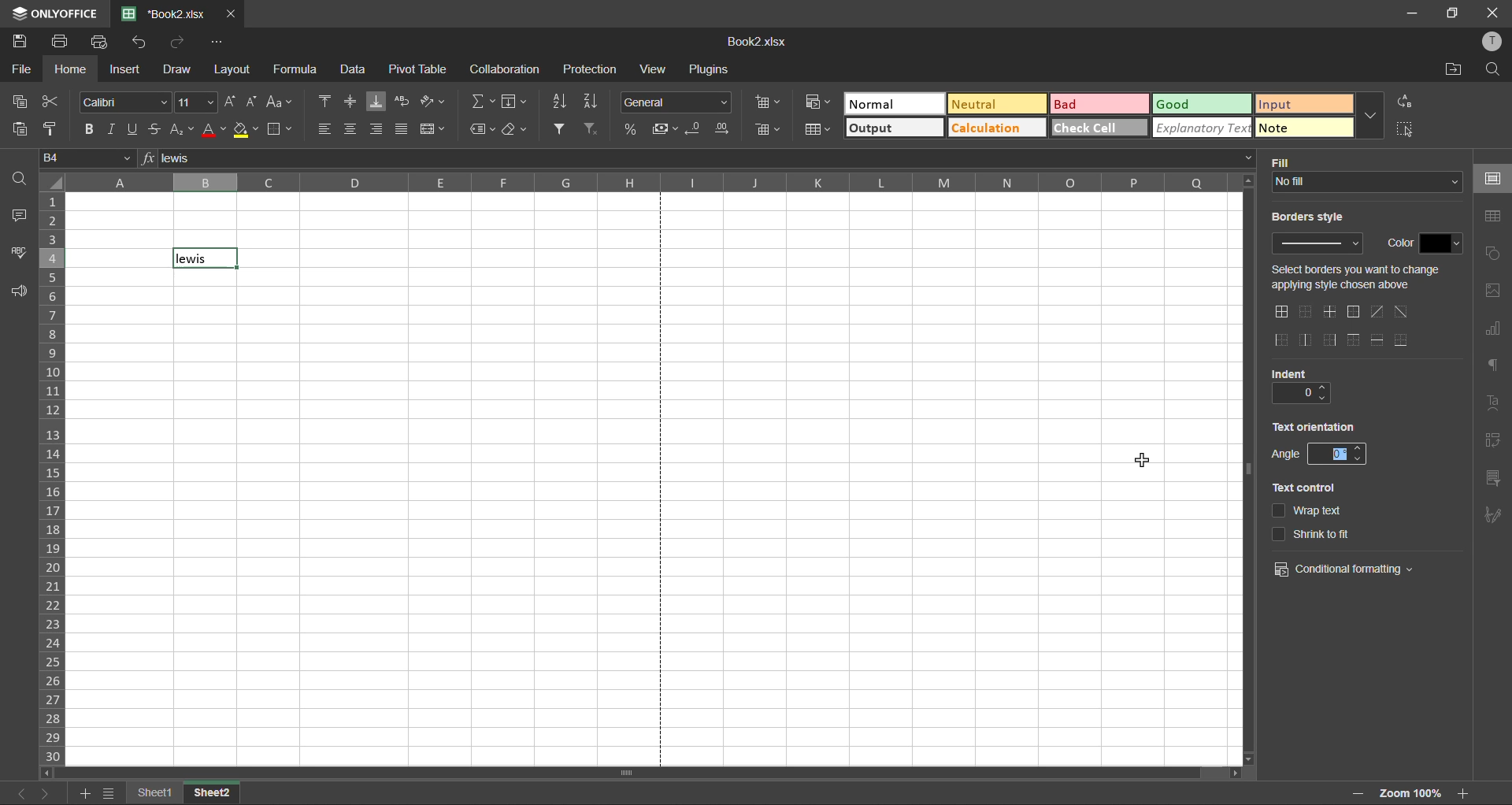 This screenshot has width=1512, height=805. I want to click on outer bottom border only, so click(1404, 339).